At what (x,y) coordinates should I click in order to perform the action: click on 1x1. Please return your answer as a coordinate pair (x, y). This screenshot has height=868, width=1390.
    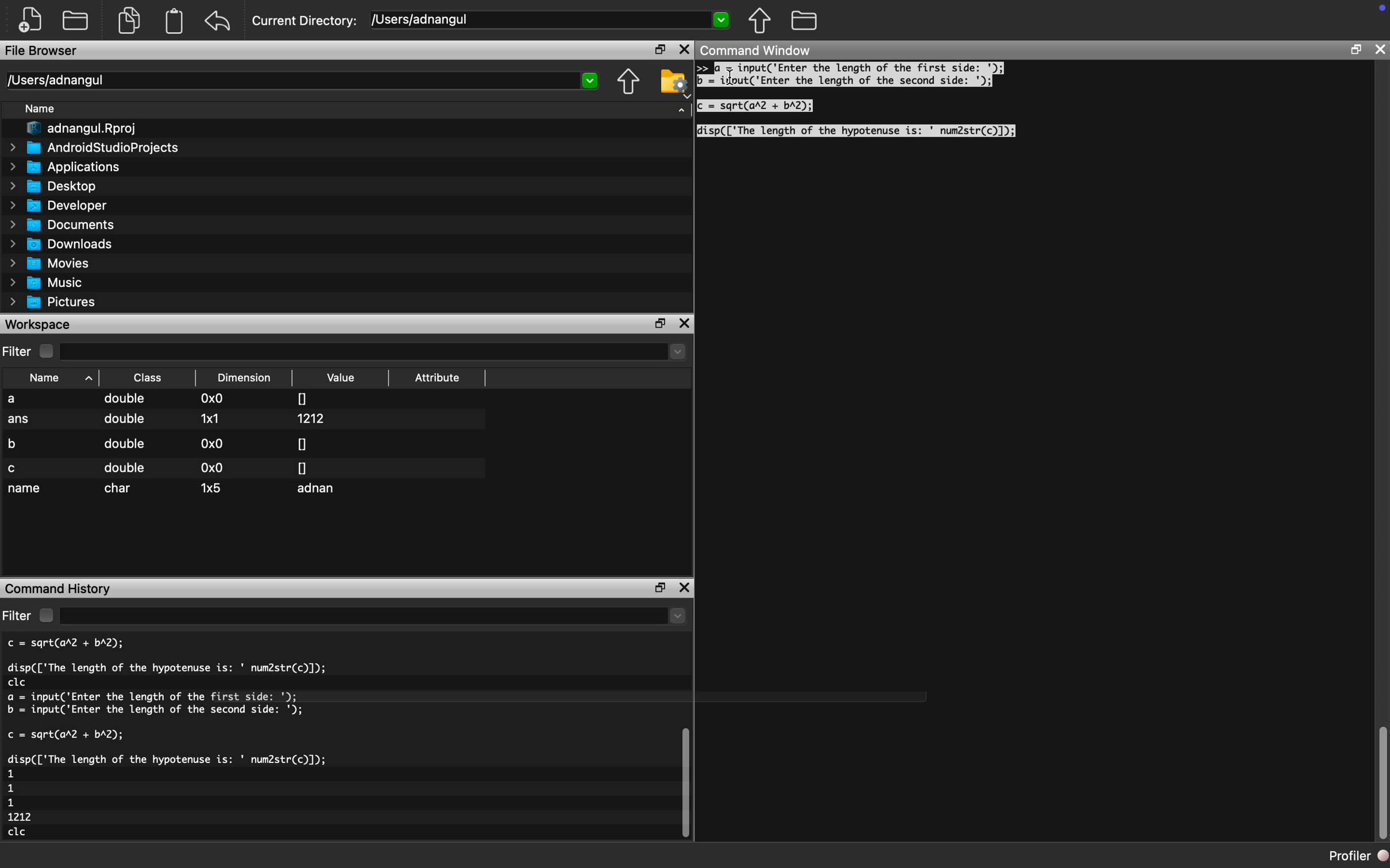
    Looking at the image, I should click on (210, 418).